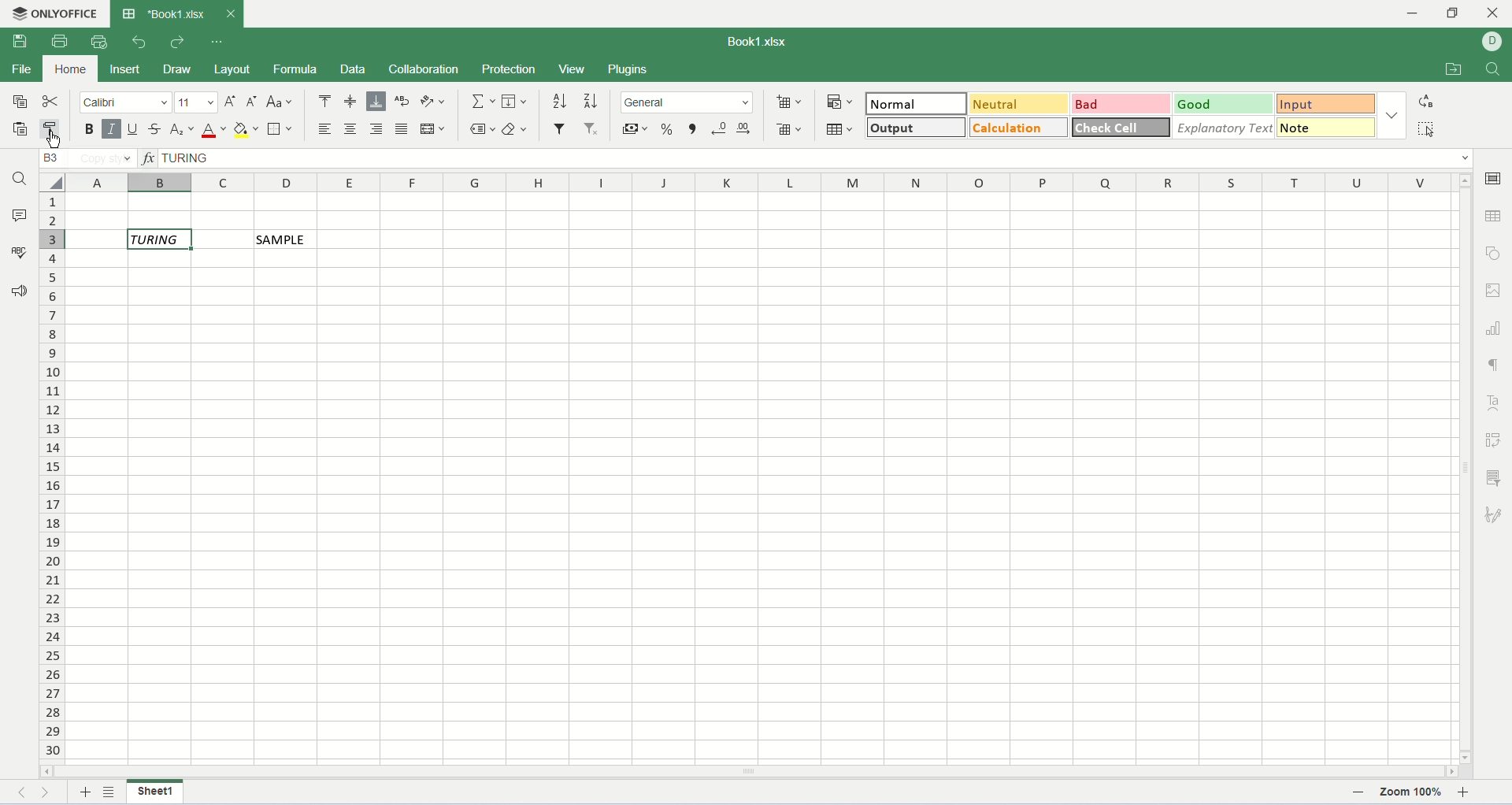 The width and height of the screenshot is (1512, 805). Describe the element at coordinates (914, 102) in the screenshot. I see `normal` at that location.